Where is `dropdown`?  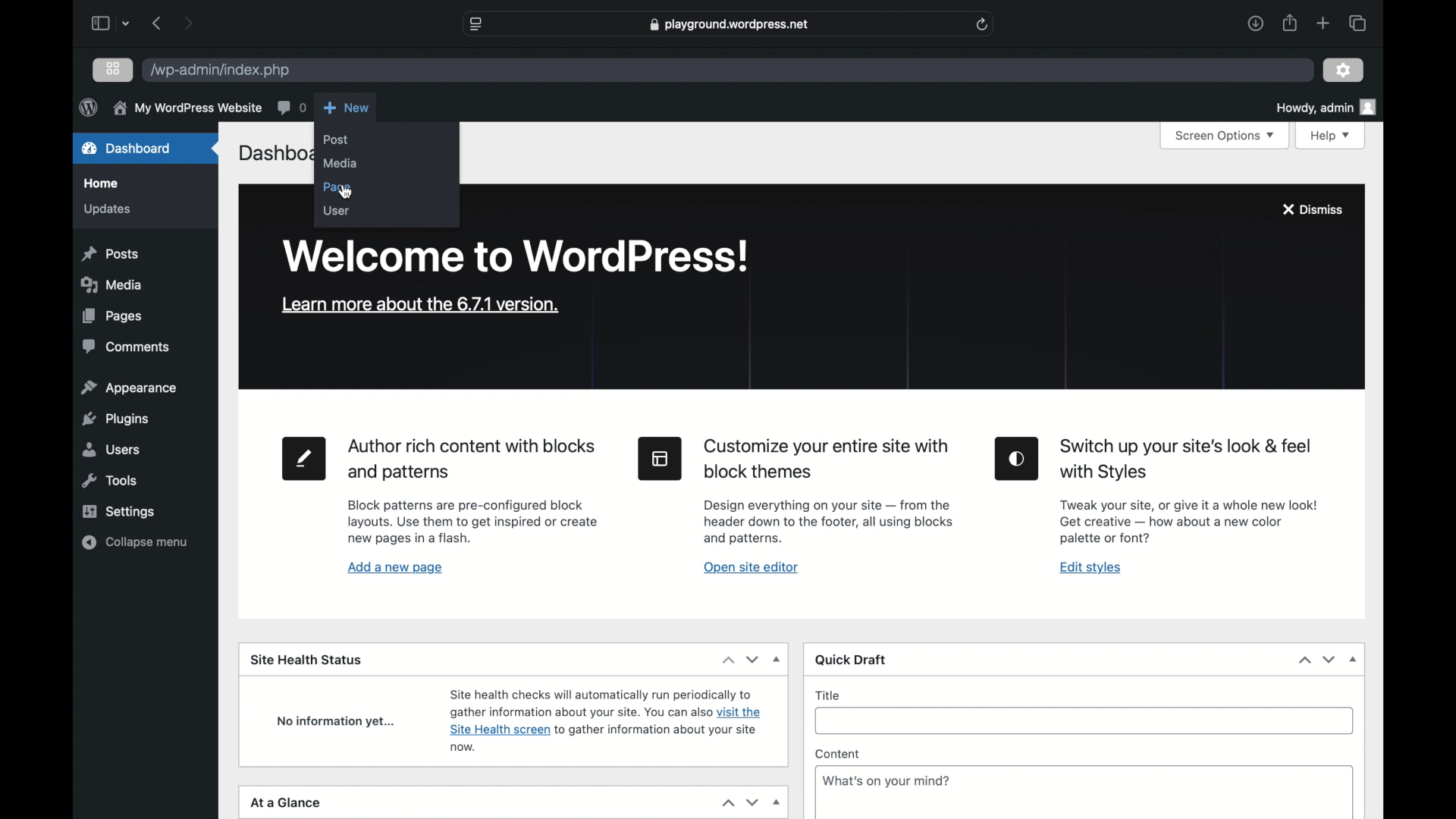 dropdown is located at coordinates (127, 24).